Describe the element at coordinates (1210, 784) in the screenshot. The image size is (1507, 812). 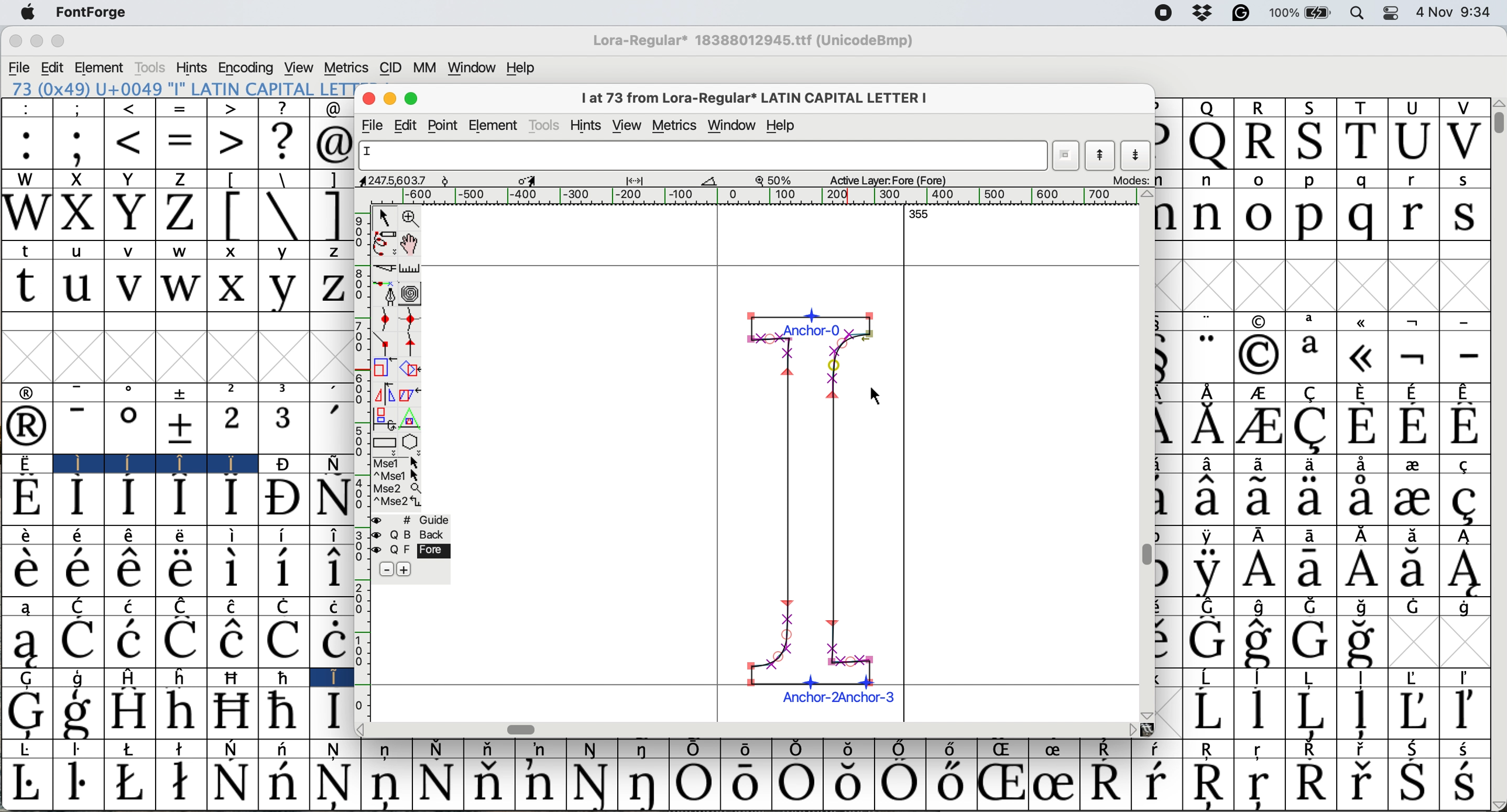
I see `Symbol` at that location.